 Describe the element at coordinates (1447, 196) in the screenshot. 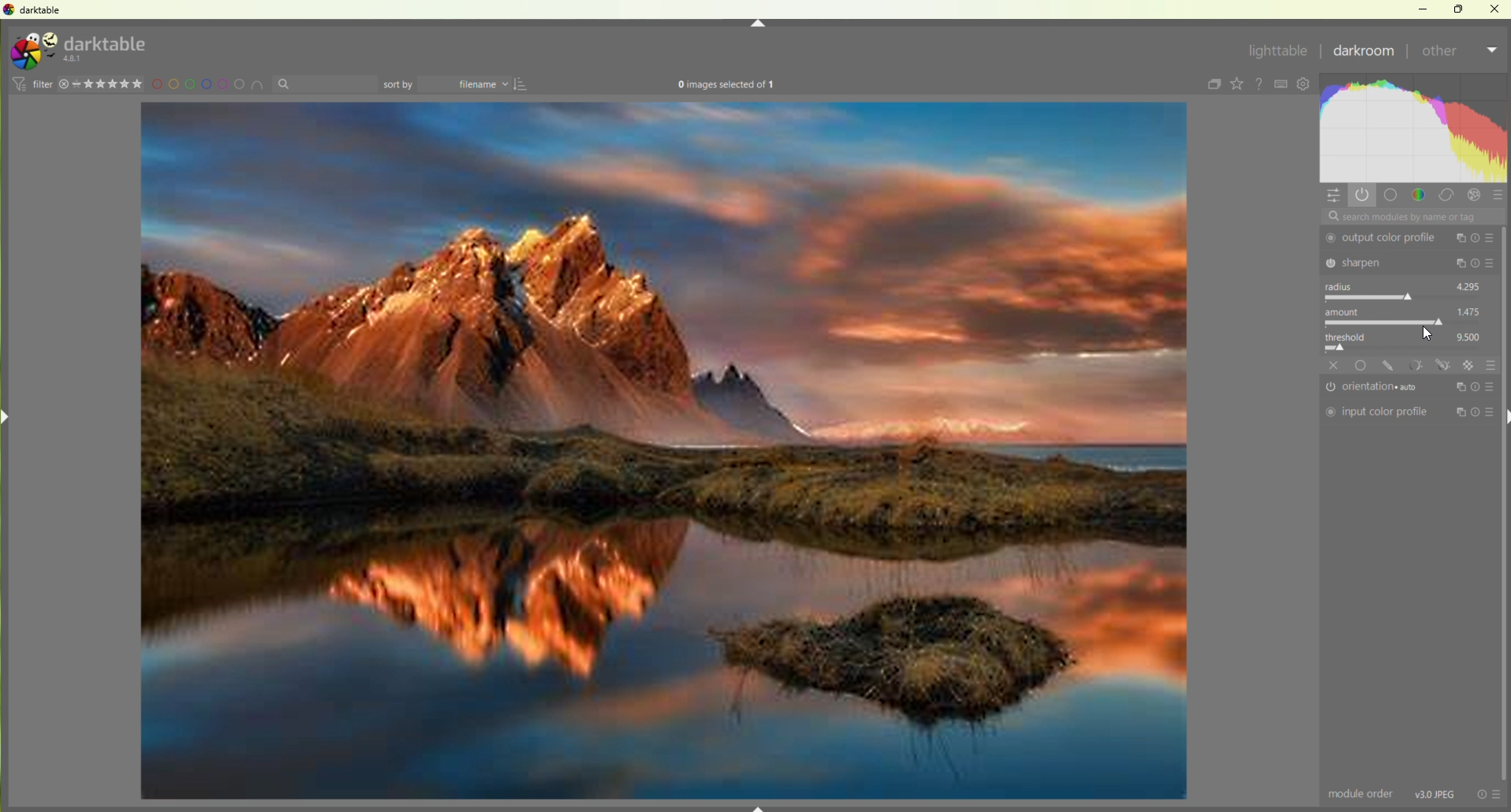

I see `correct` at that location.